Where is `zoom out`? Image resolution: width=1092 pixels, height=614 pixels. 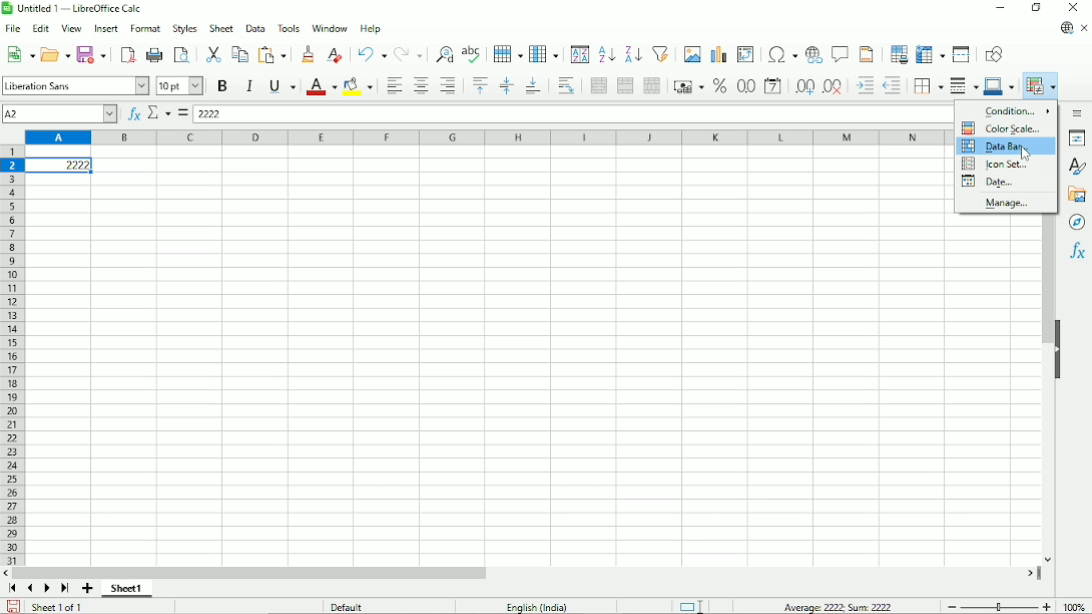 zoom out is located at coordinates (952, 607).